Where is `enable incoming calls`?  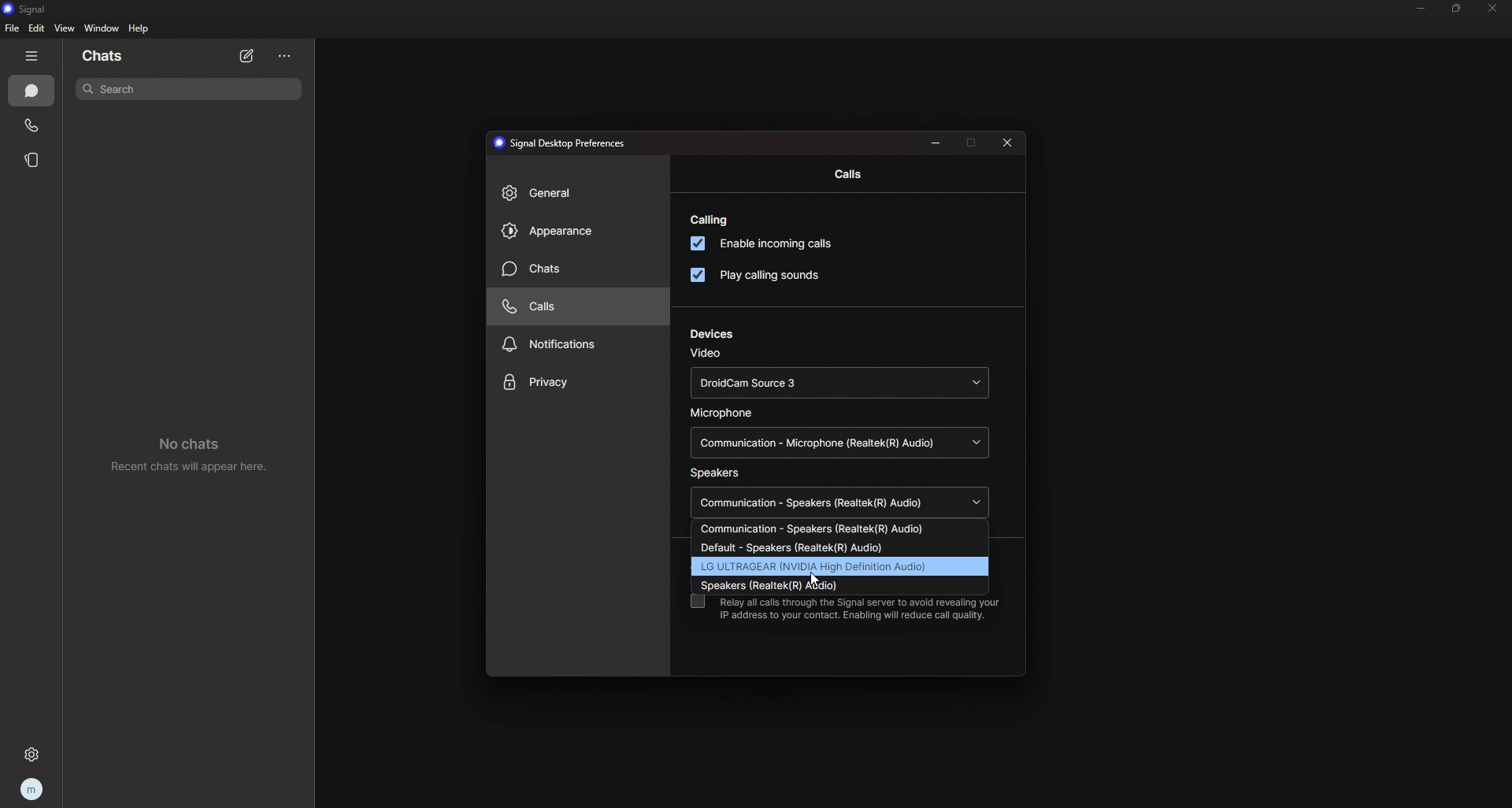
enable incoming calls is located at coordinates (761, 243).